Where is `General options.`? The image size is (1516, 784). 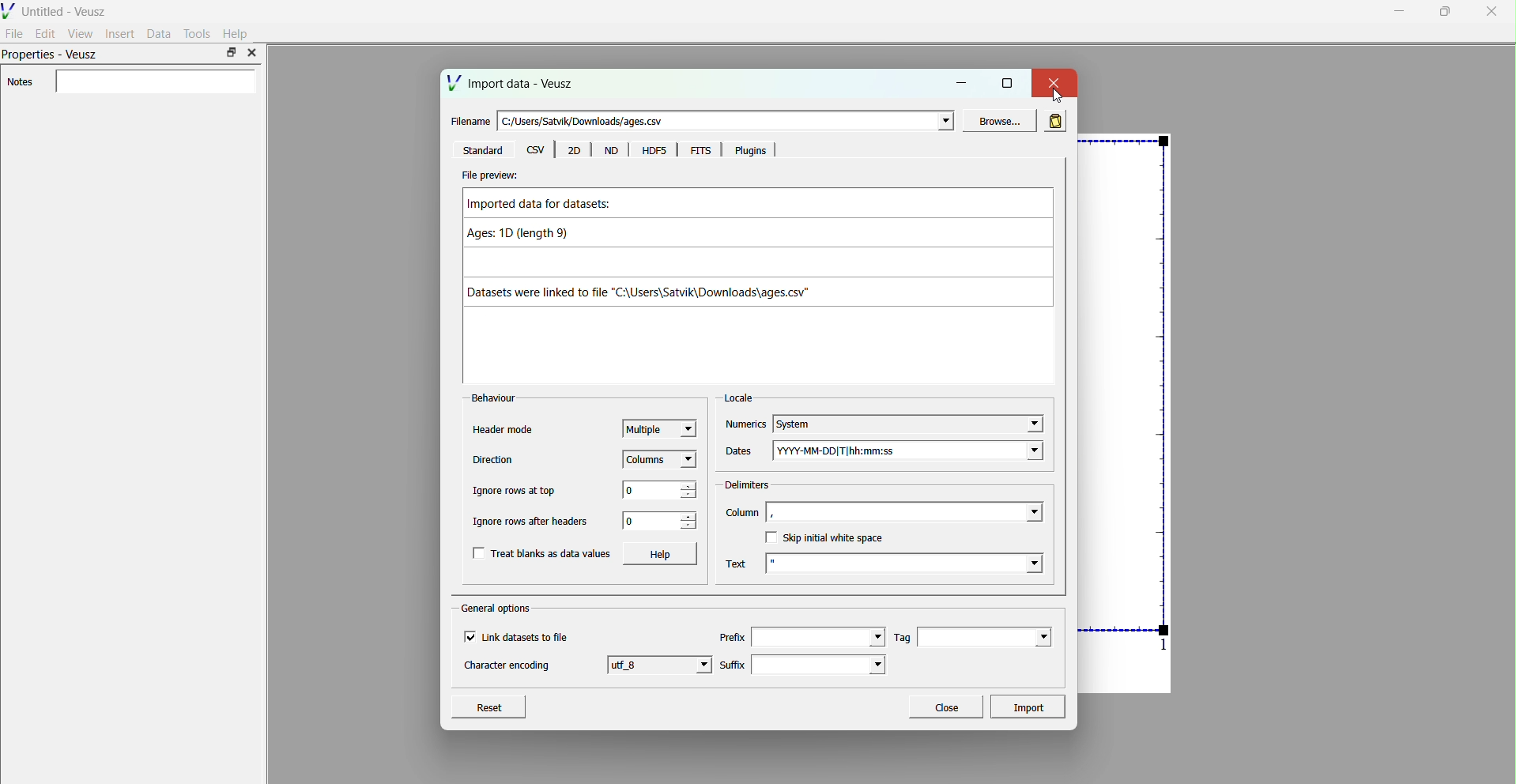
General options. is located at coordinates (498, 609).